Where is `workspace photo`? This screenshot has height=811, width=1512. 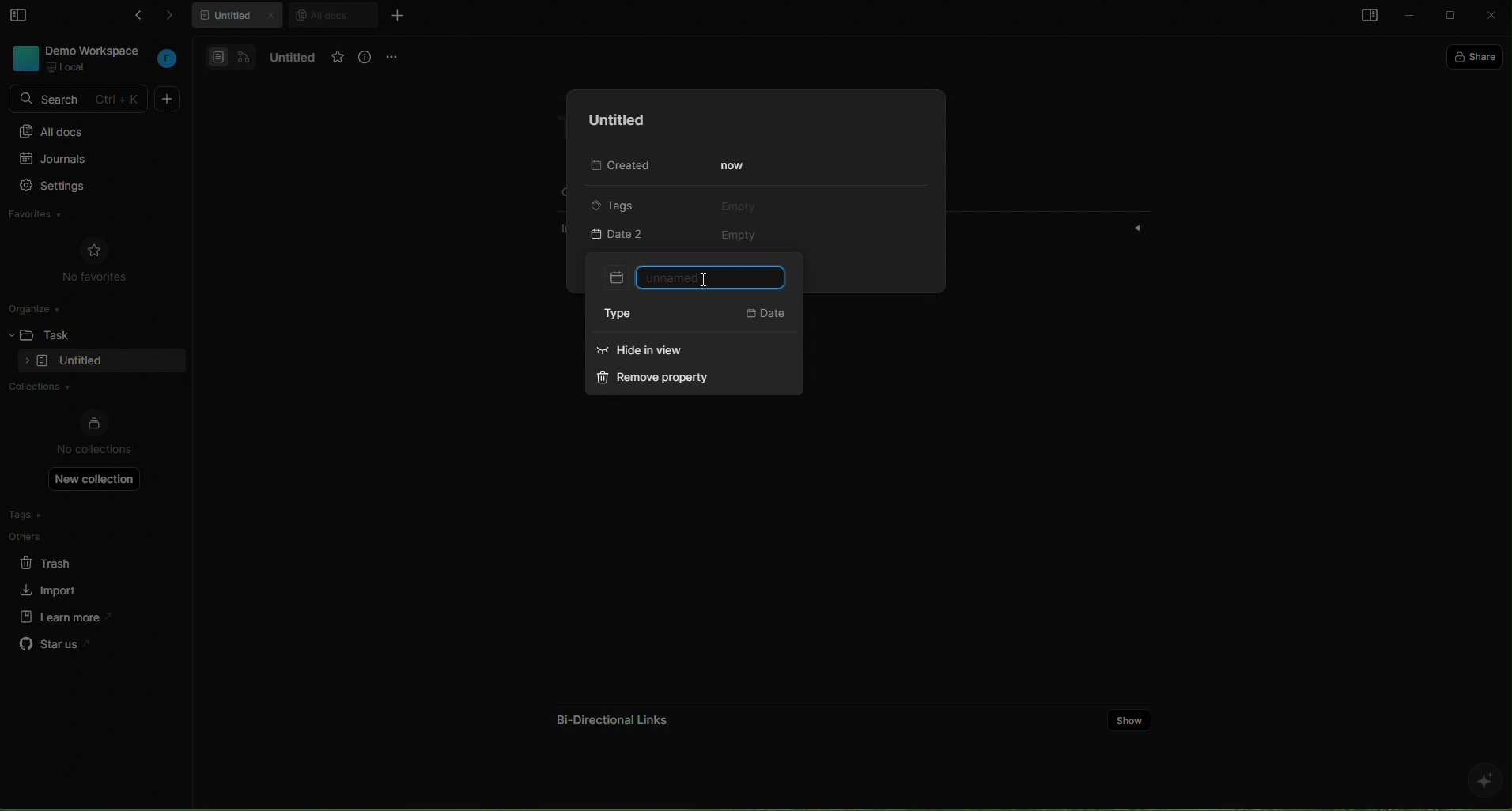
workspace photo is located at coordinates (24, 57).